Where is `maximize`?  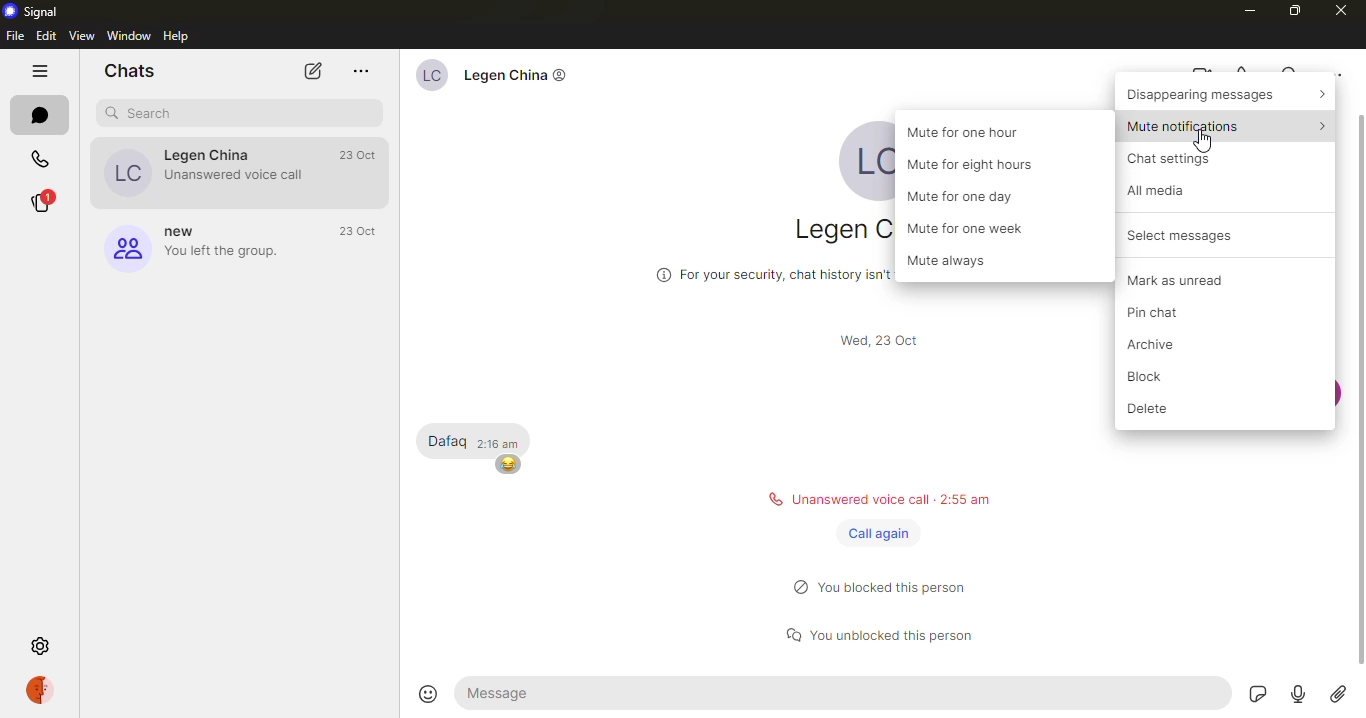
maximize is located at coordinates (1293, 9).